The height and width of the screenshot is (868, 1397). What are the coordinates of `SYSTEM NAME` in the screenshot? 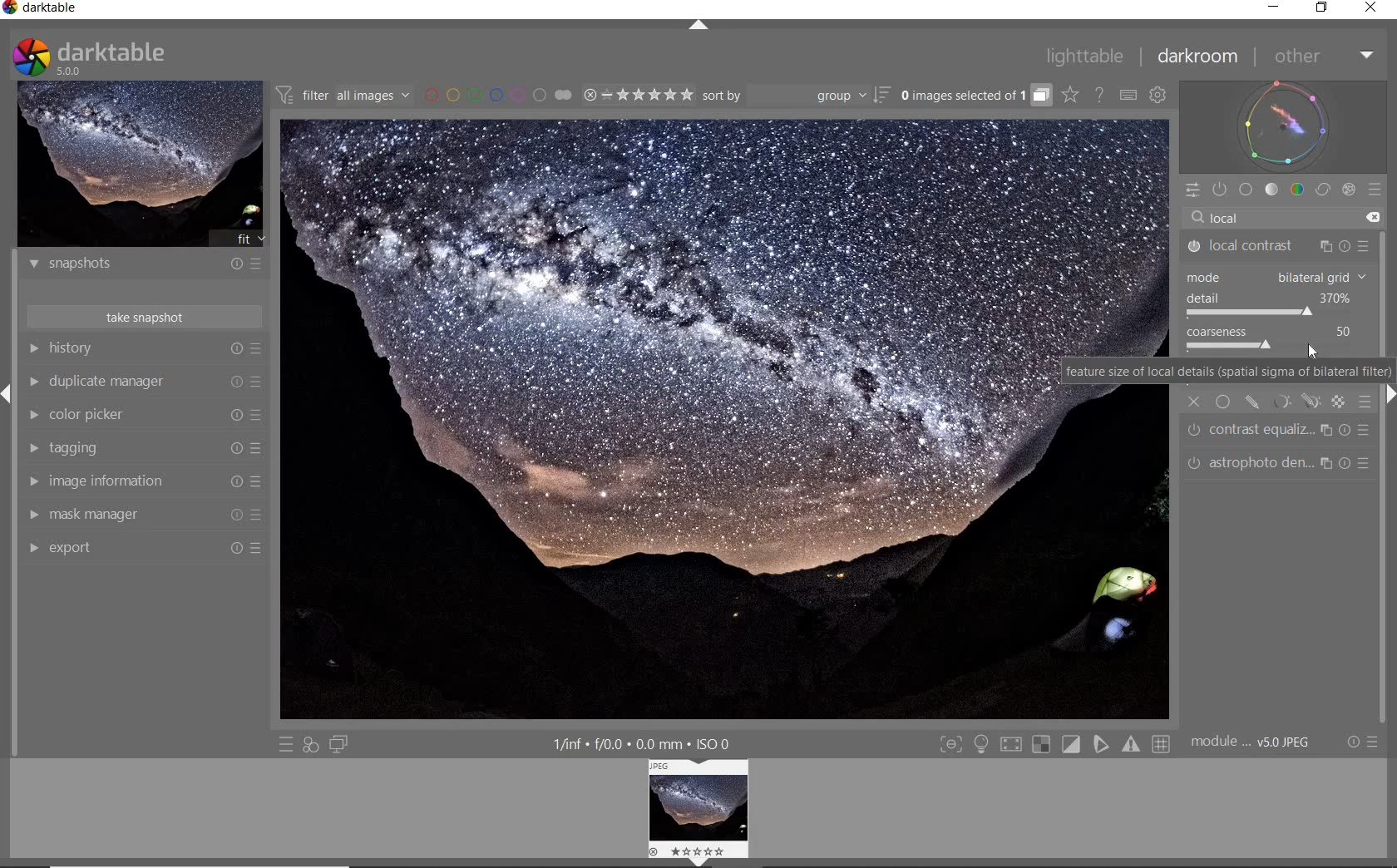 It's located at (62, 8).